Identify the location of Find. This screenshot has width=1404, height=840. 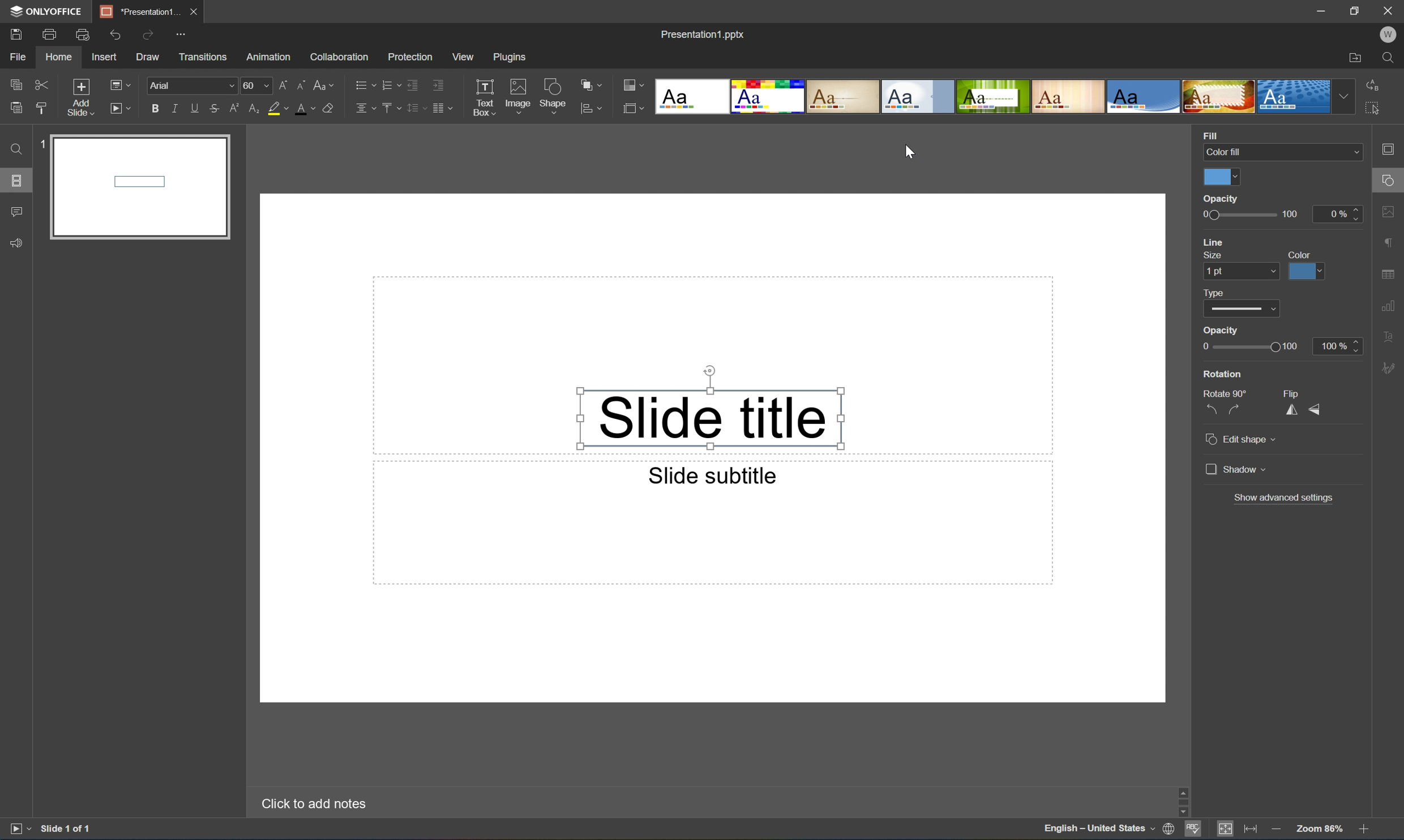
(1388, 58).